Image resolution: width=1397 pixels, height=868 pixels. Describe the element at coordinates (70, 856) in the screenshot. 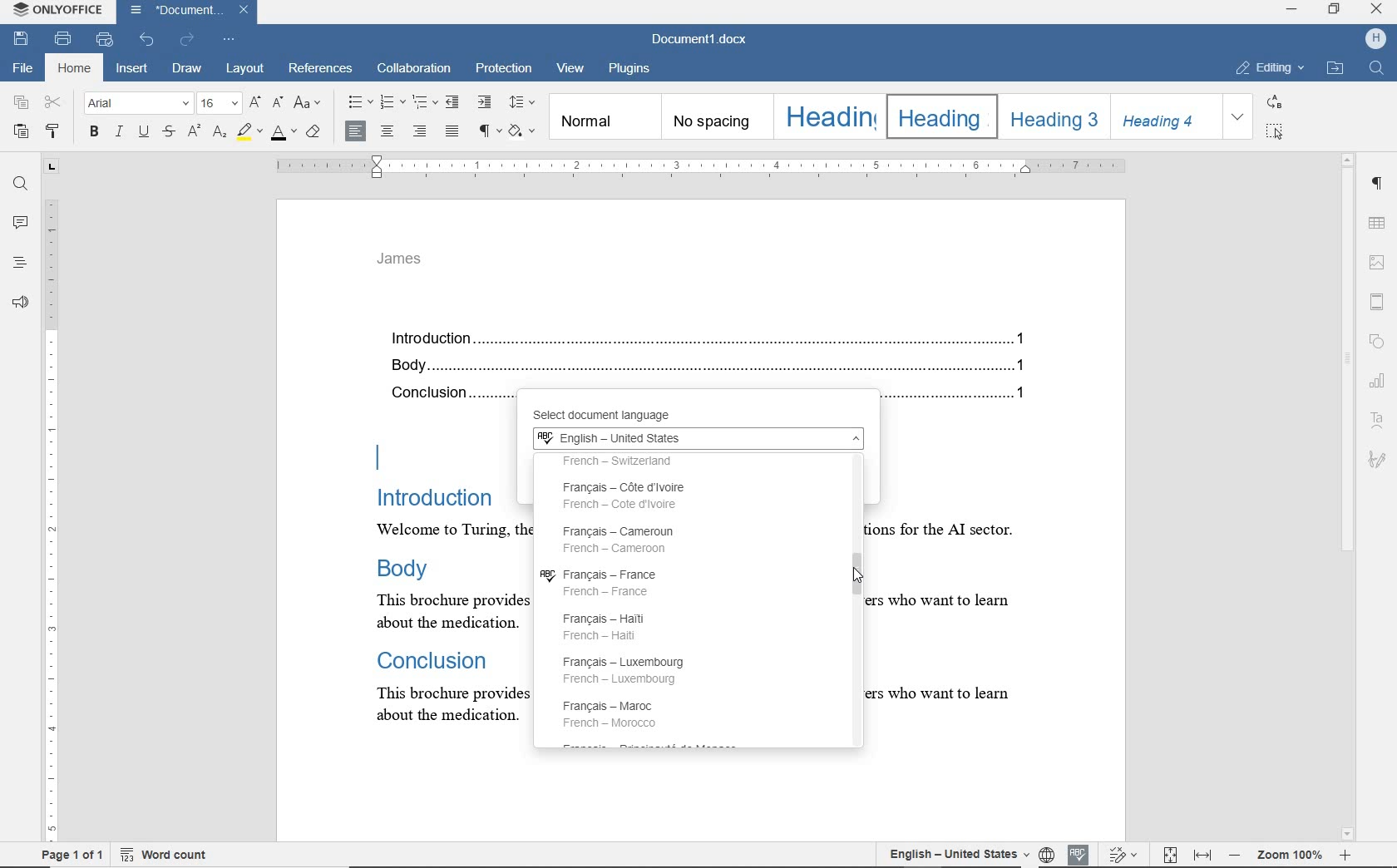

I see `page 1 of 1` at that location.